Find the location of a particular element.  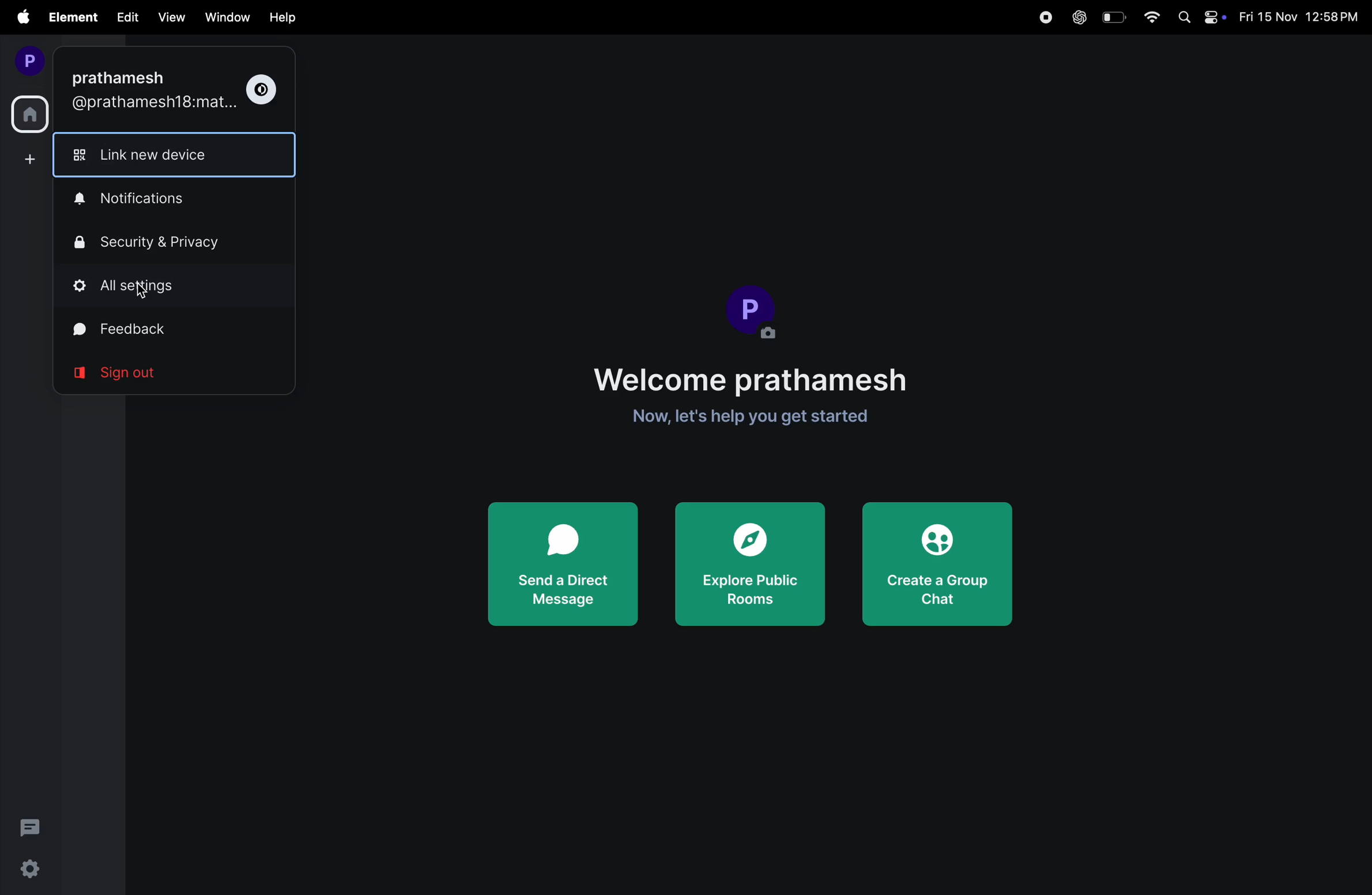

Welcome note is located at coordinates (759, 383).